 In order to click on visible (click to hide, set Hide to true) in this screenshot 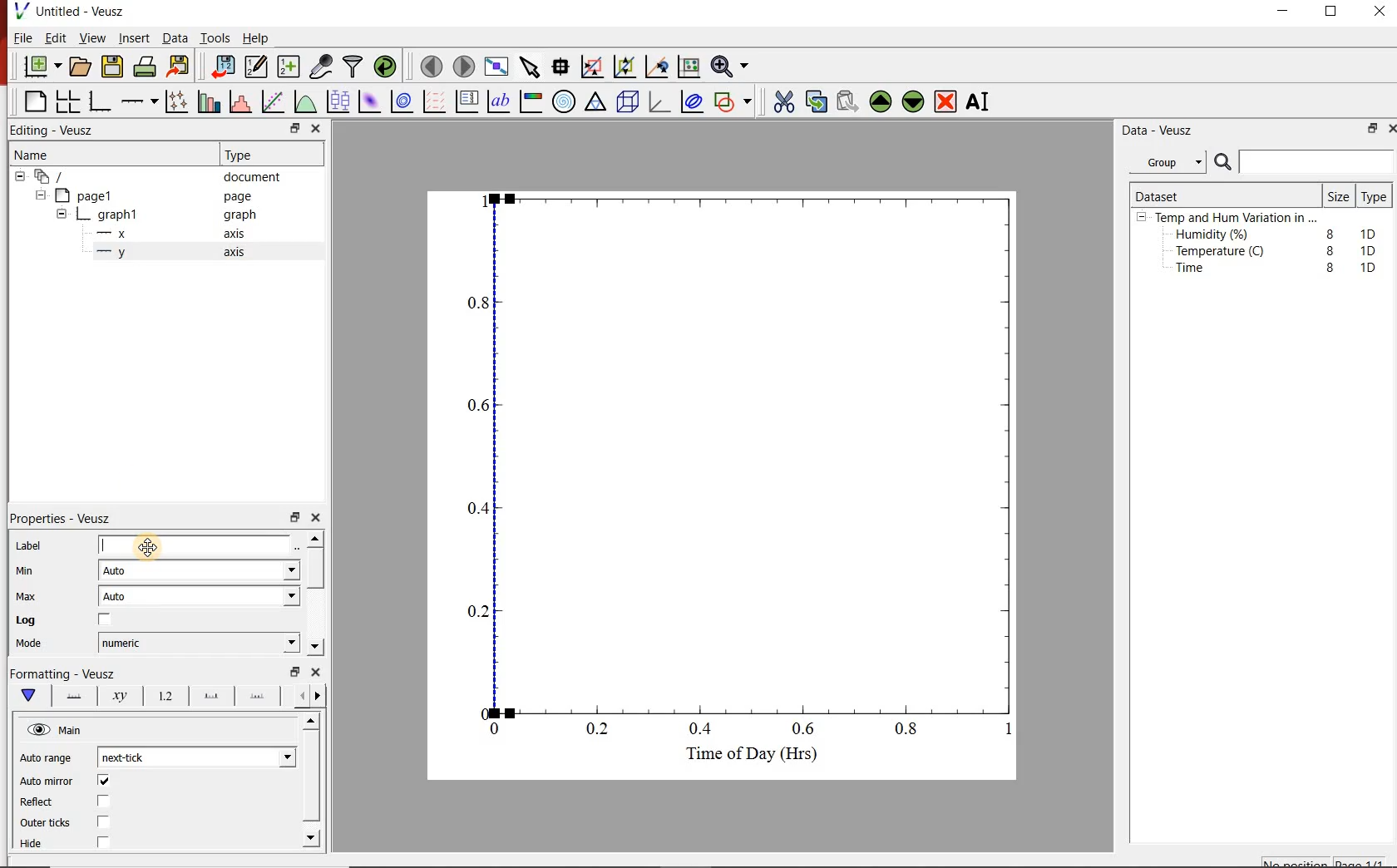, I will do `click(37, 731)`.